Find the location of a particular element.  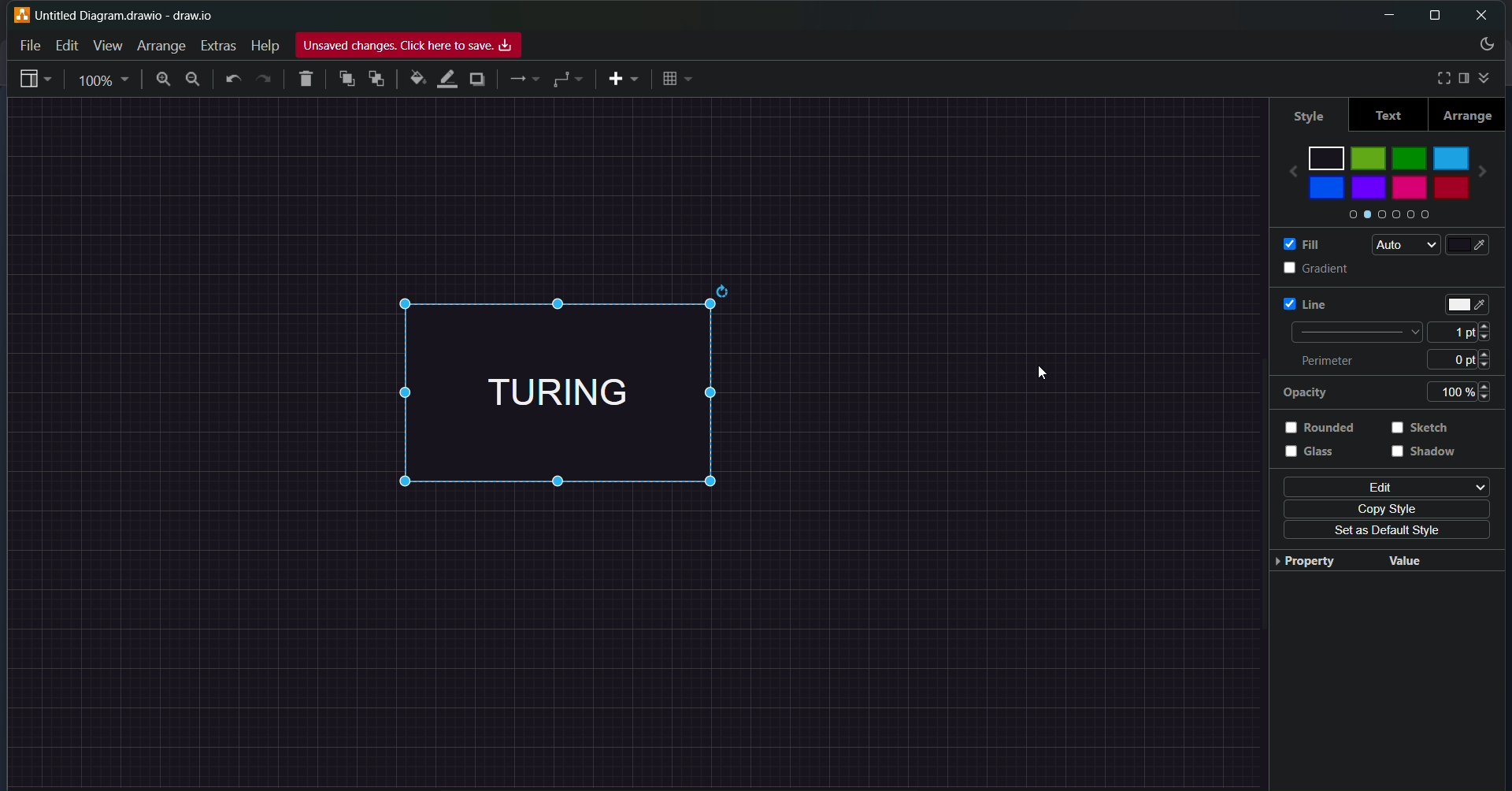

100% is located at coordinates (1466, 392).